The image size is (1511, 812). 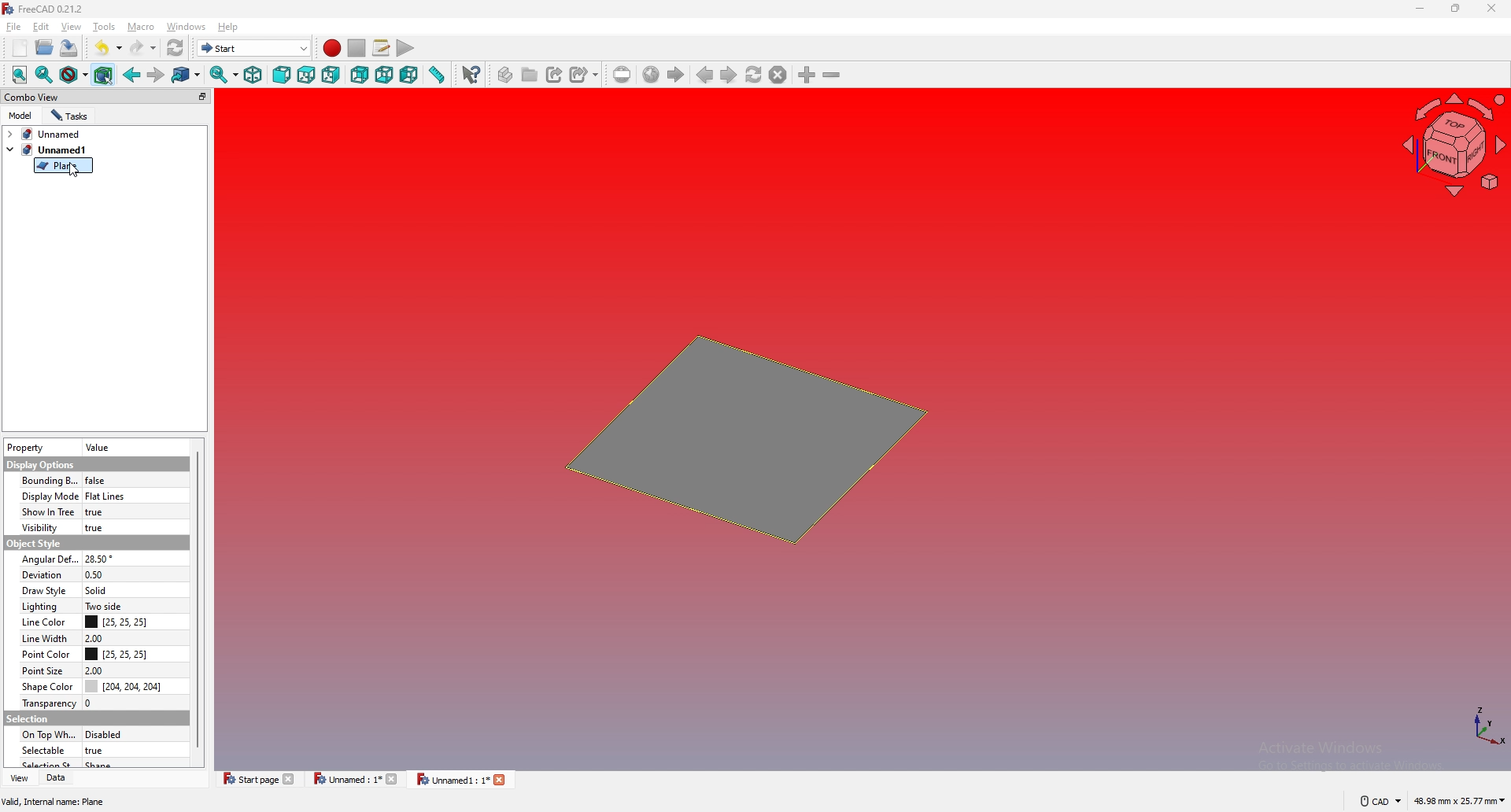 I want to click on true, so click(x=103, y=750).